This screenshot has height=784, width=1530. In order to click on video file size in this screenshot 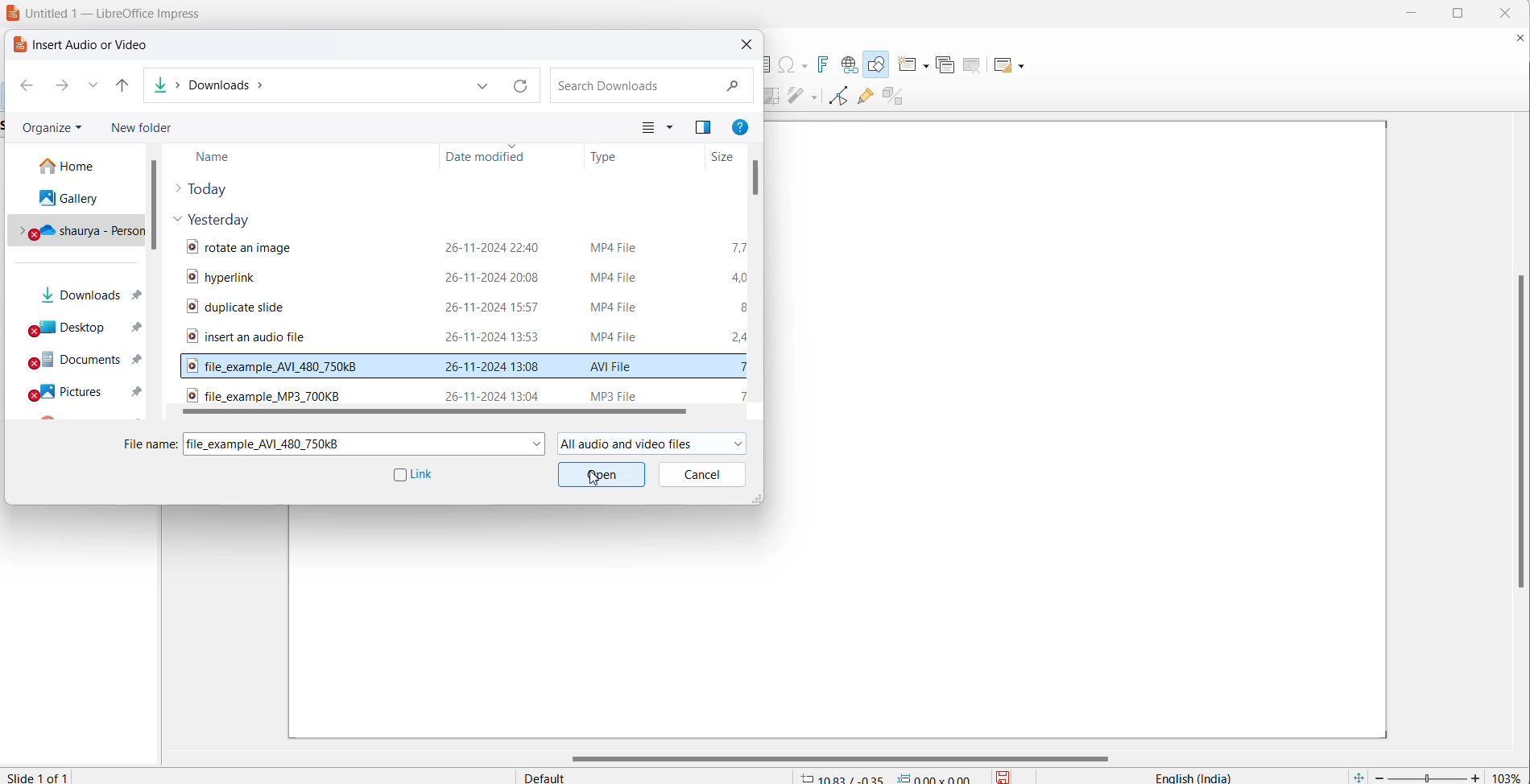, I will do `click(734, 287)`.